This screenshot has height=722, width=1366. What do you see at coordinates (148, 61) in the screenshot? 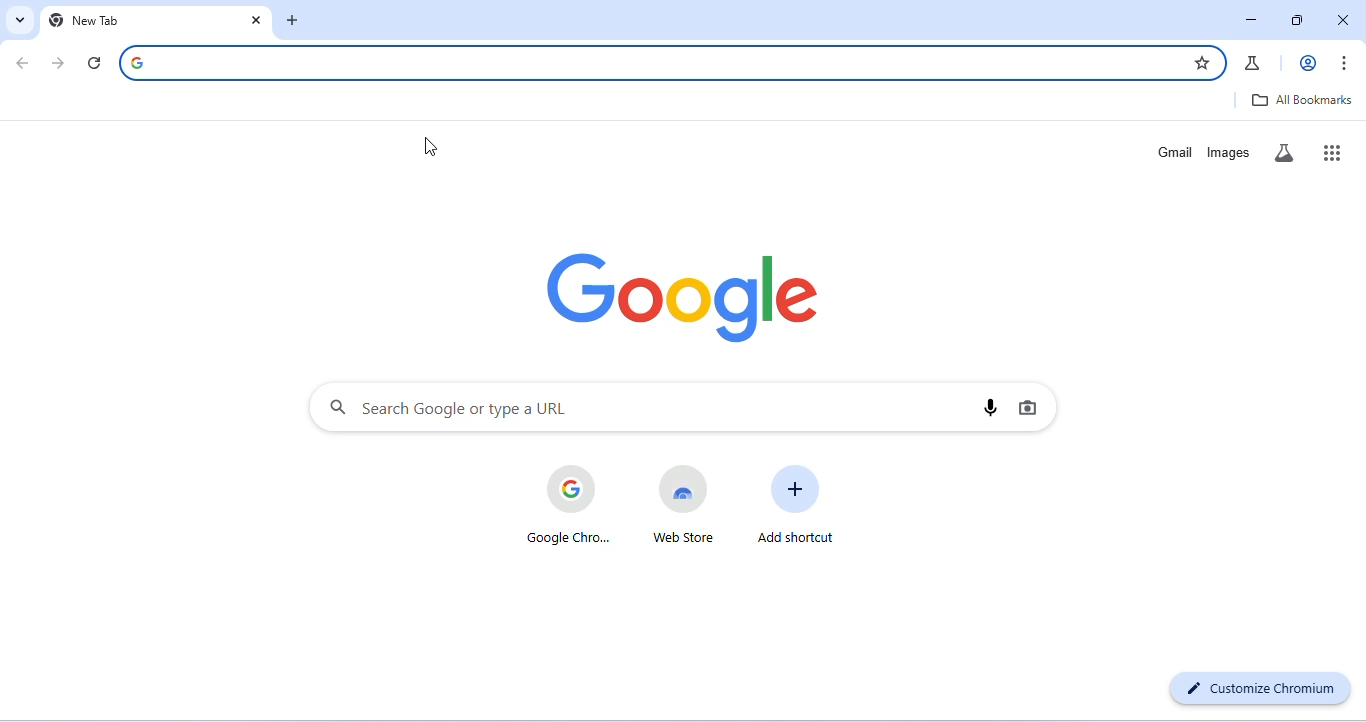
I see `google logo` at bounding box center [148, 61].